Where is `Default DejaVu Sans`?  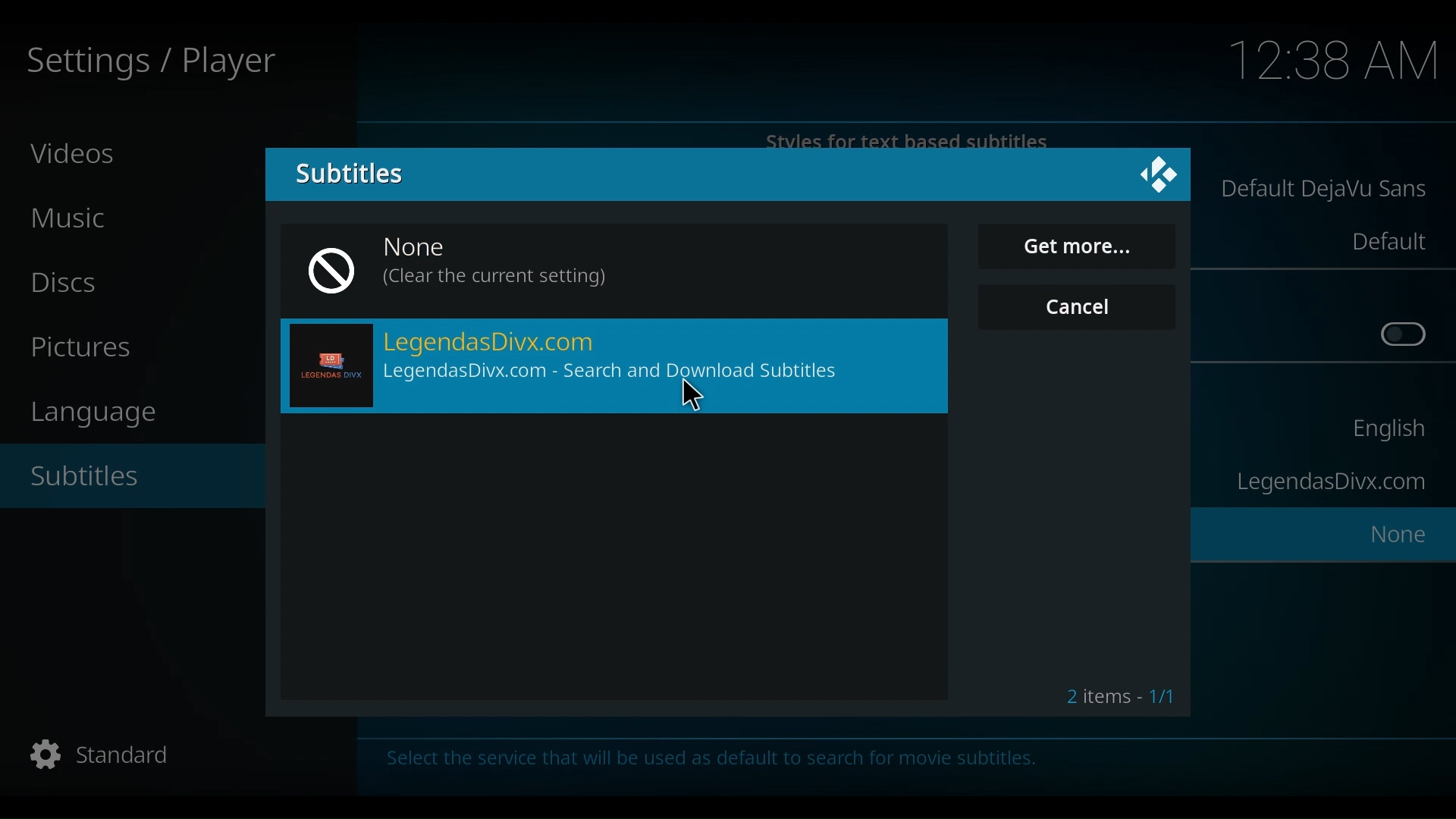 Default DejaVu Sans is located at coordinates (1325, 191).